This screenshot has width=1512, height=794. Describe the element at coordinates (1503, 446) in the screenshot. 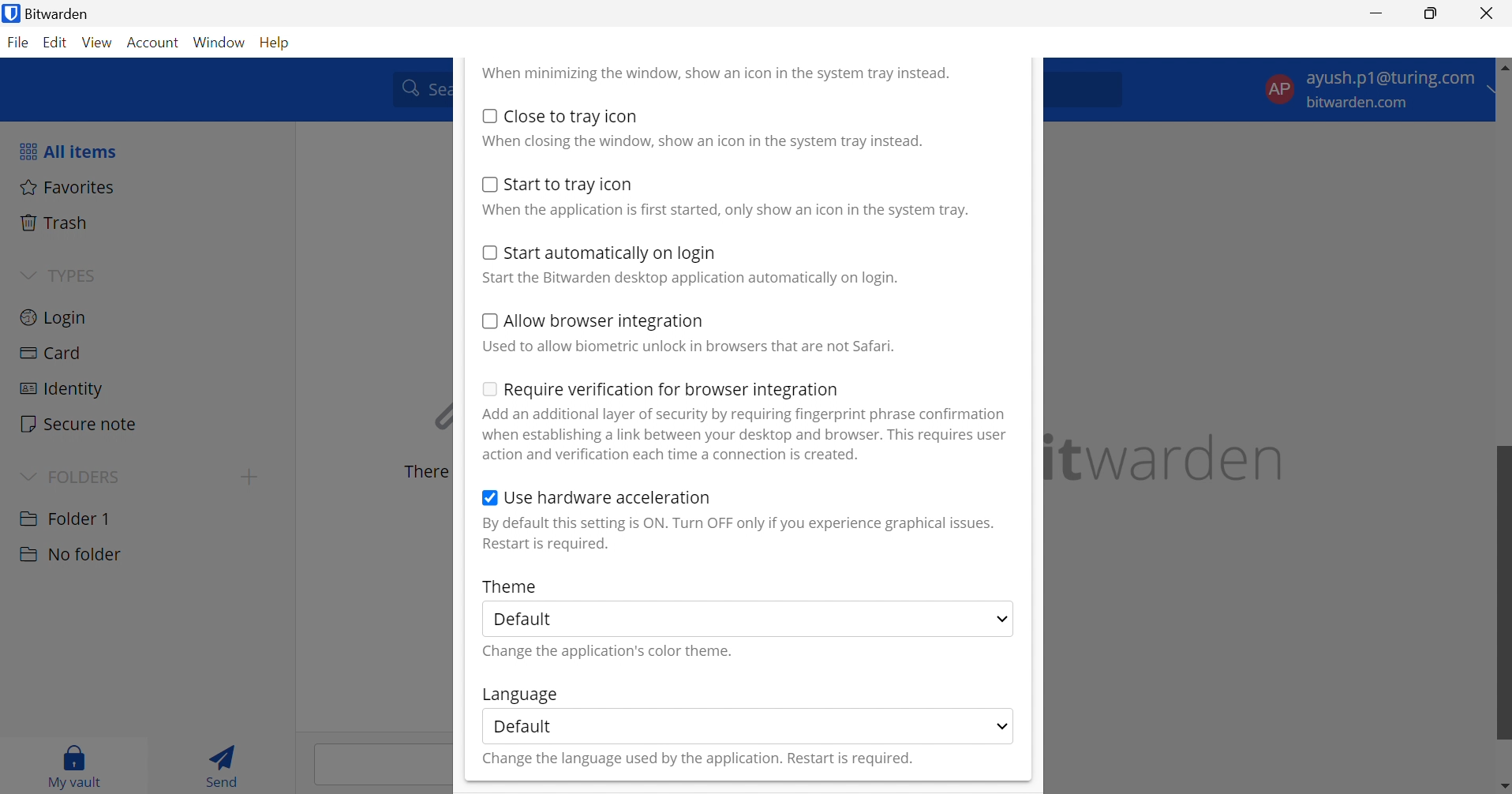

I see `Scroll Bar` at that location.